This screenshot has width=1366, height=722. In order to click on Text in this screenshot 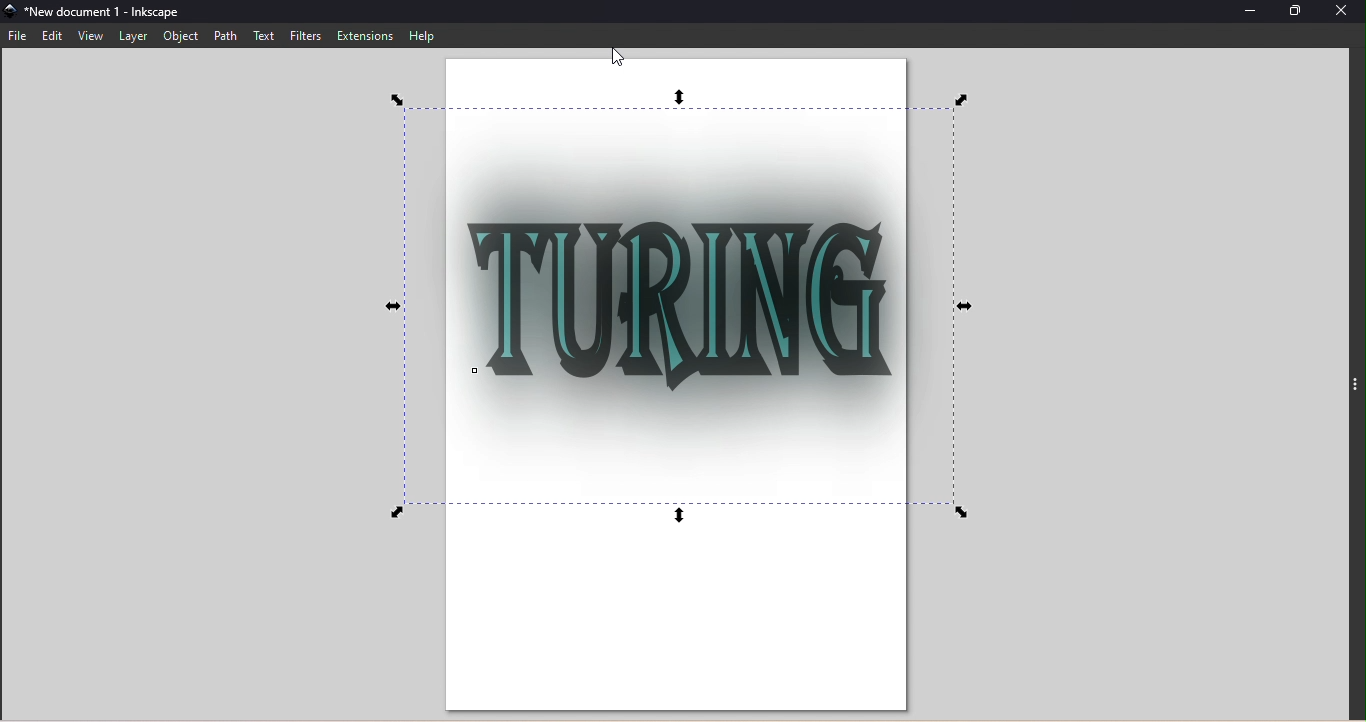, I will do `click(266, 36)`.